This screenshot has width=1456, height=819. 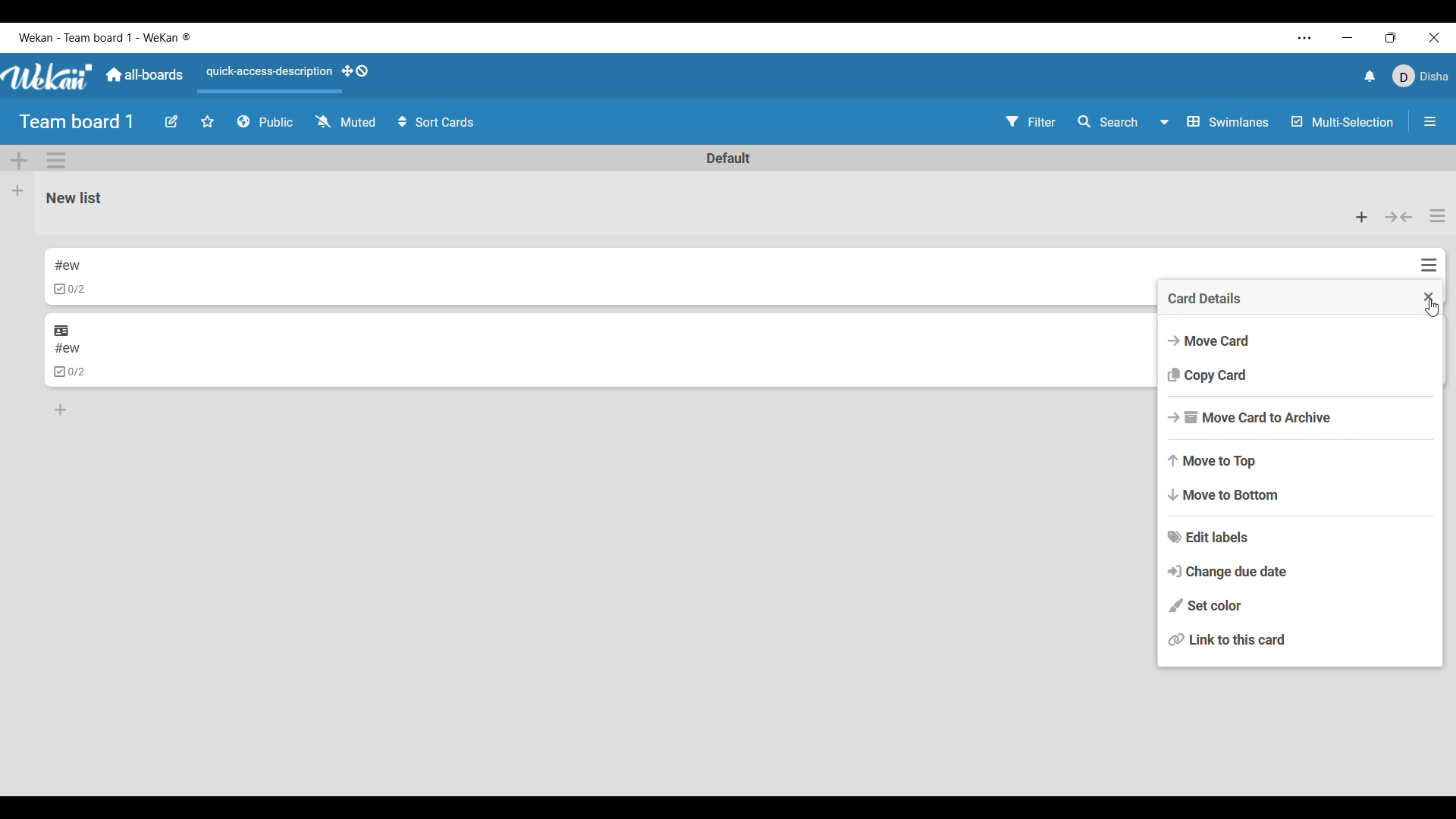 What do you see at coordinates (68, 349) in the screenshot?
I see `Linked card title` at bounding box center [68, 349].